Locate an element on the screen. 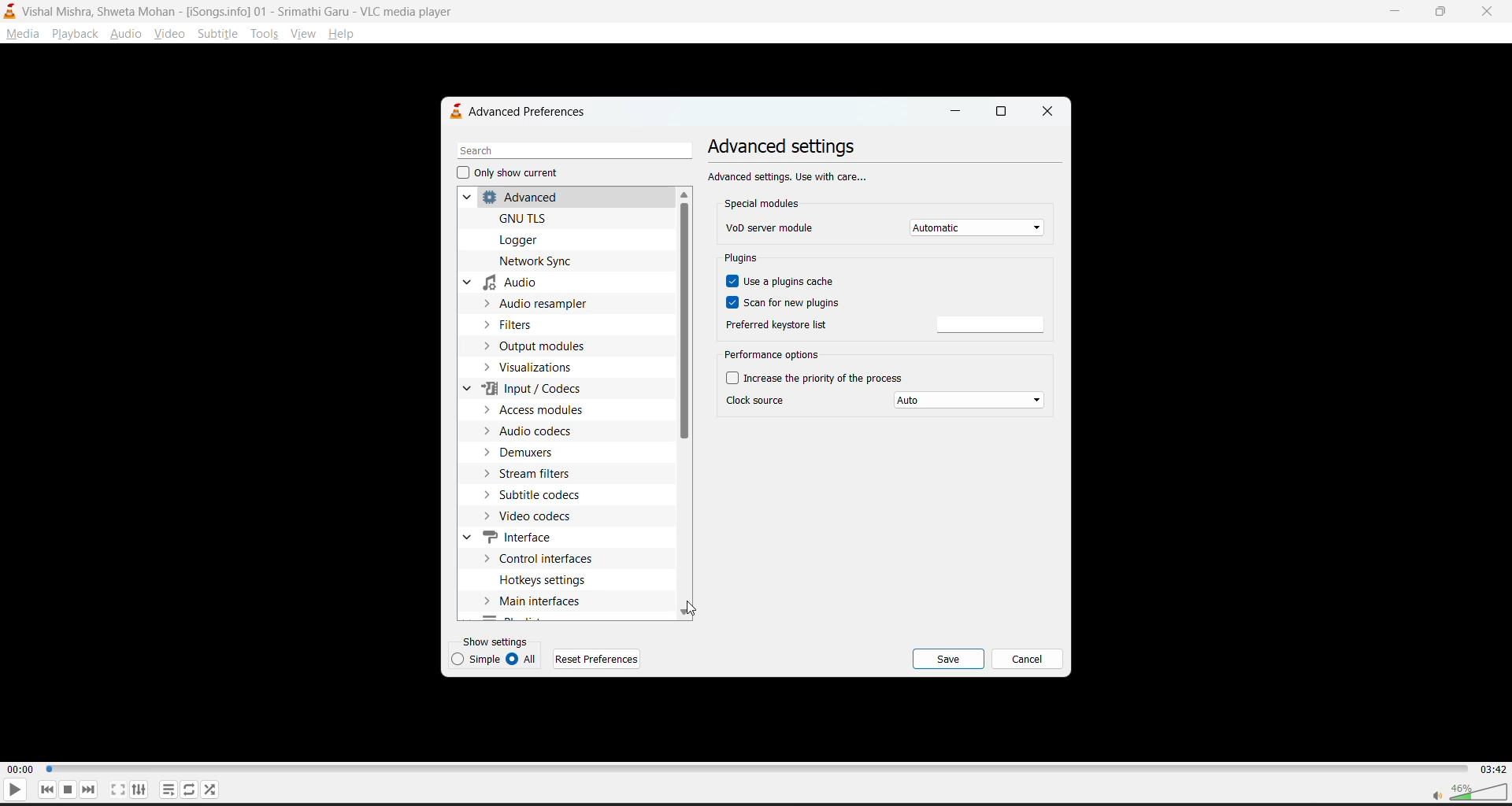 Image resolution: width=1512 pixels, height=806 pixels. advanced settings is located at coordinates (787, 146).